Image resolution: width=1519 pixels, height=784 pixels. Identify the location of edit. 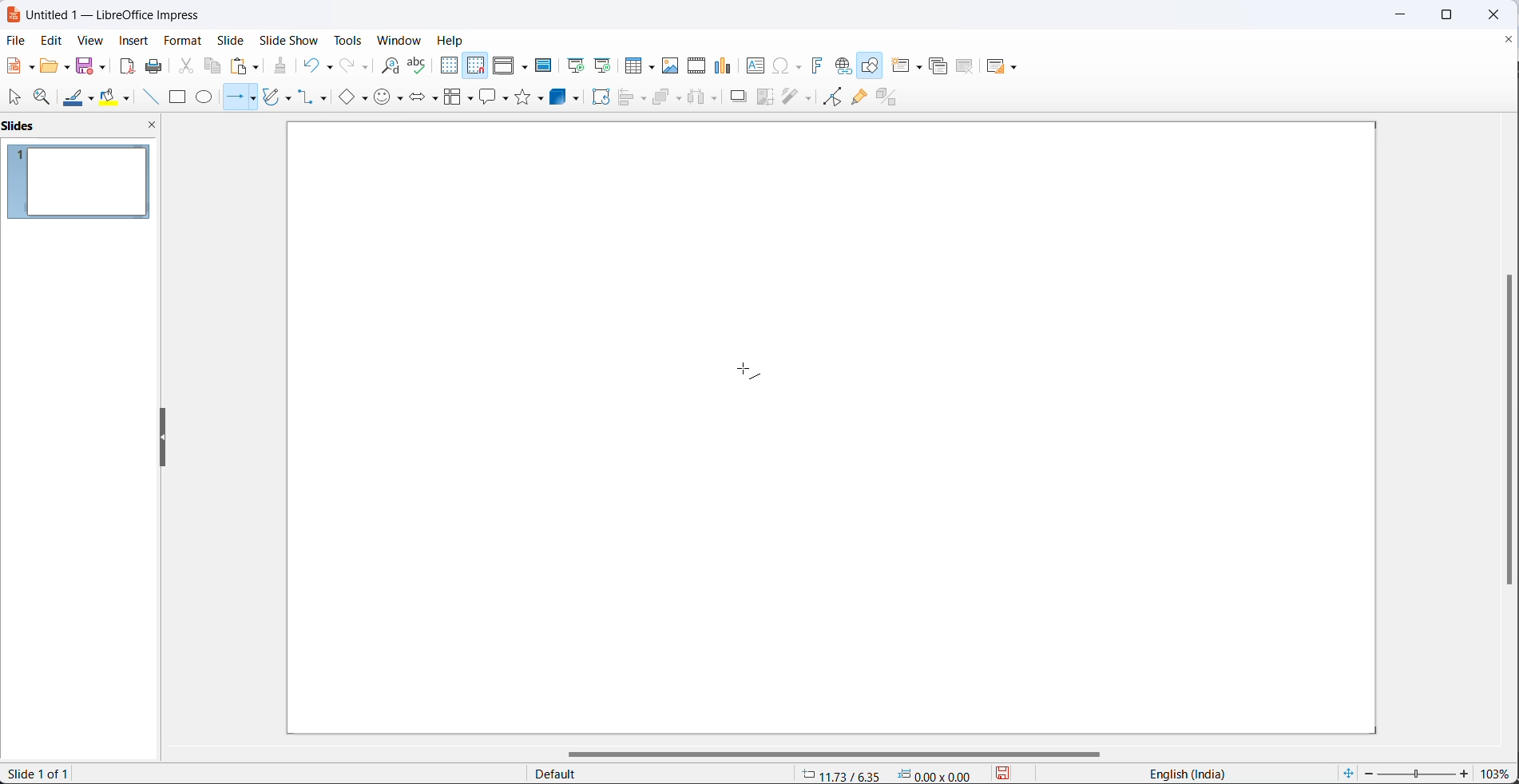
(51, 38).